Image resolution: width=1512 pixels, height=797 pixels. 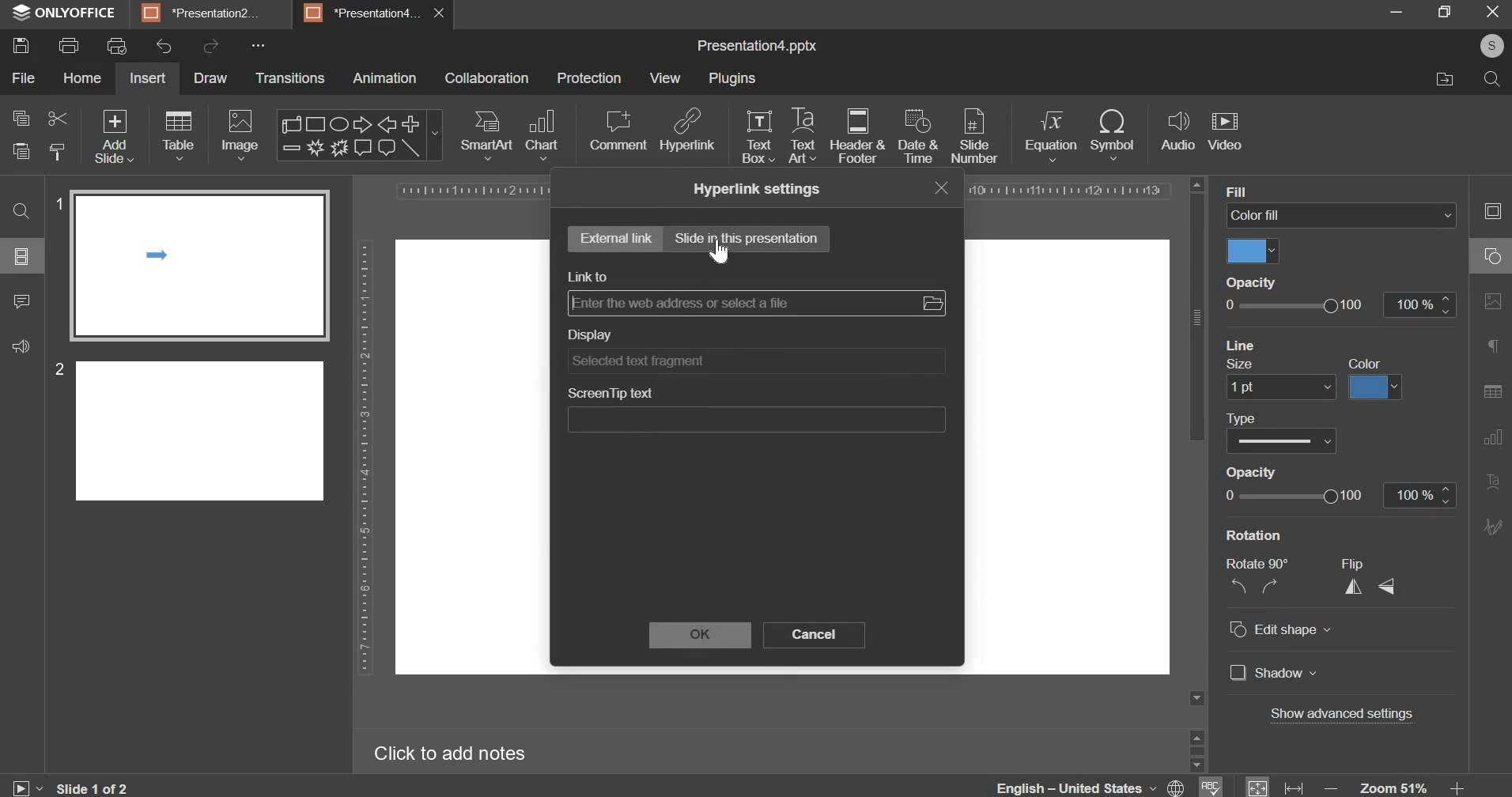 What do you see at coordinates (755, 361) in the screenshot?
I see `display` at bounding box center [755, 361].